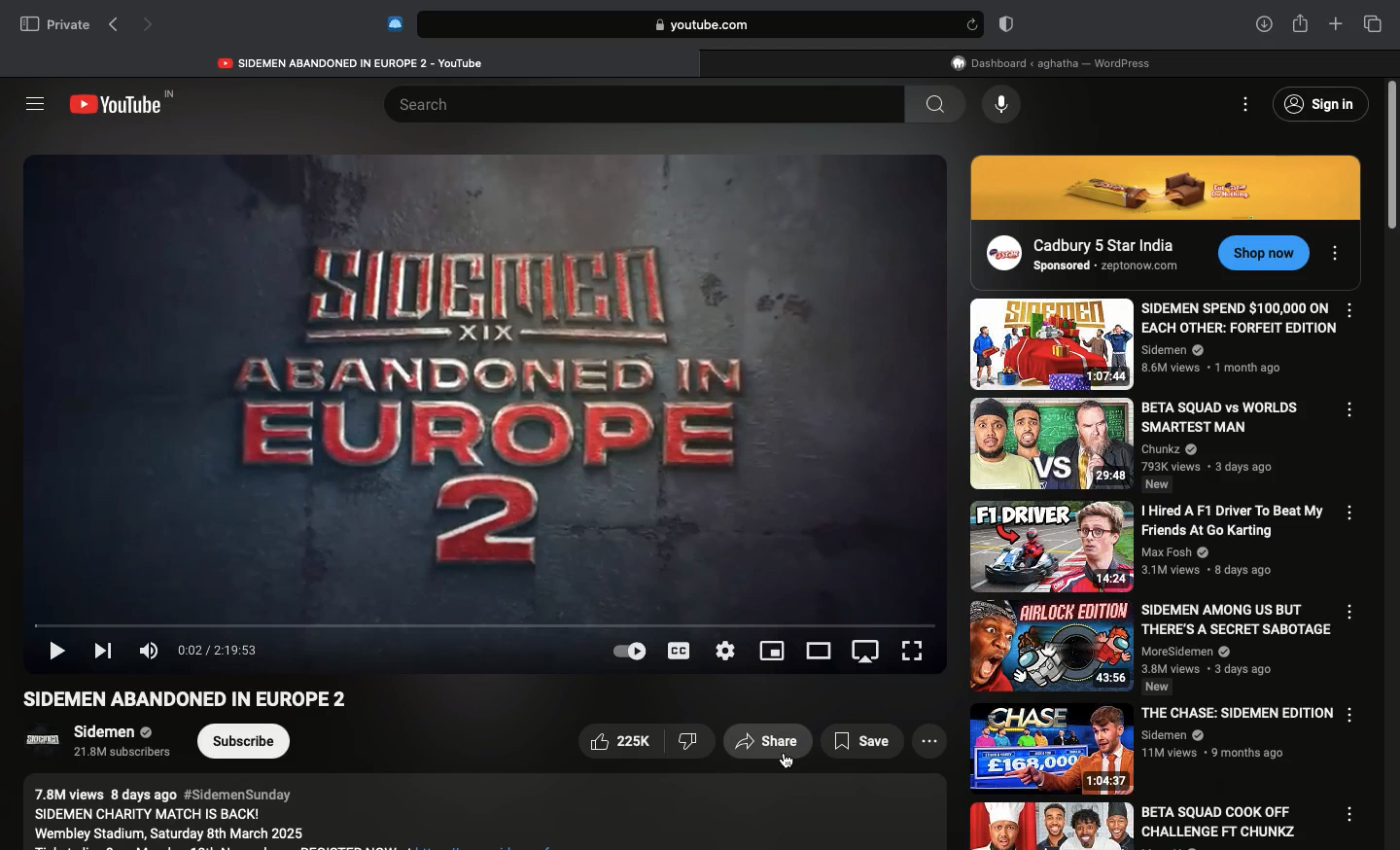 This screenshot has height=850, width=1400. Describe the element at coordinates (775, 652) in the screenshot. I see `Sharing screen` at that location.